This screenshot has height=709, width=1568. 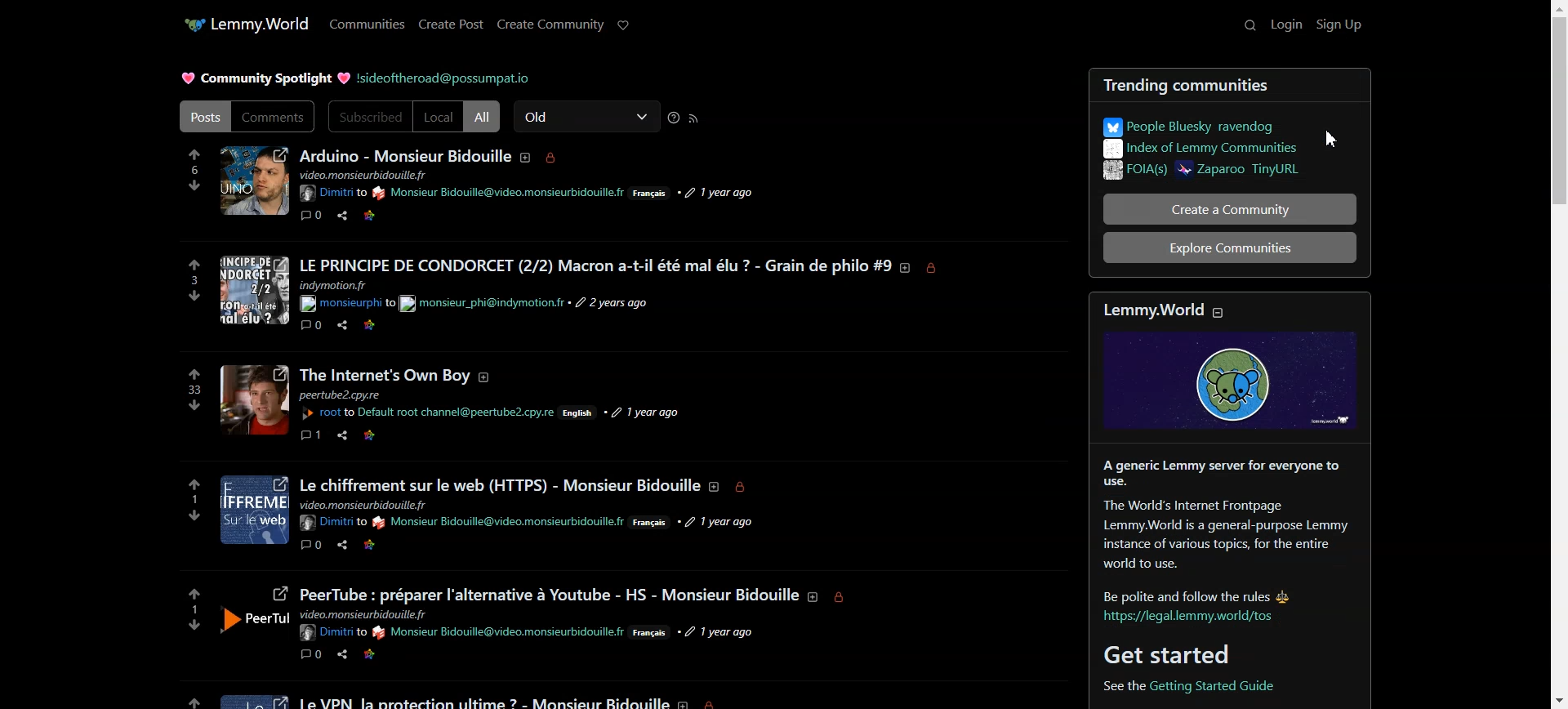 I want to click on locked, so click(x=718, y=702).